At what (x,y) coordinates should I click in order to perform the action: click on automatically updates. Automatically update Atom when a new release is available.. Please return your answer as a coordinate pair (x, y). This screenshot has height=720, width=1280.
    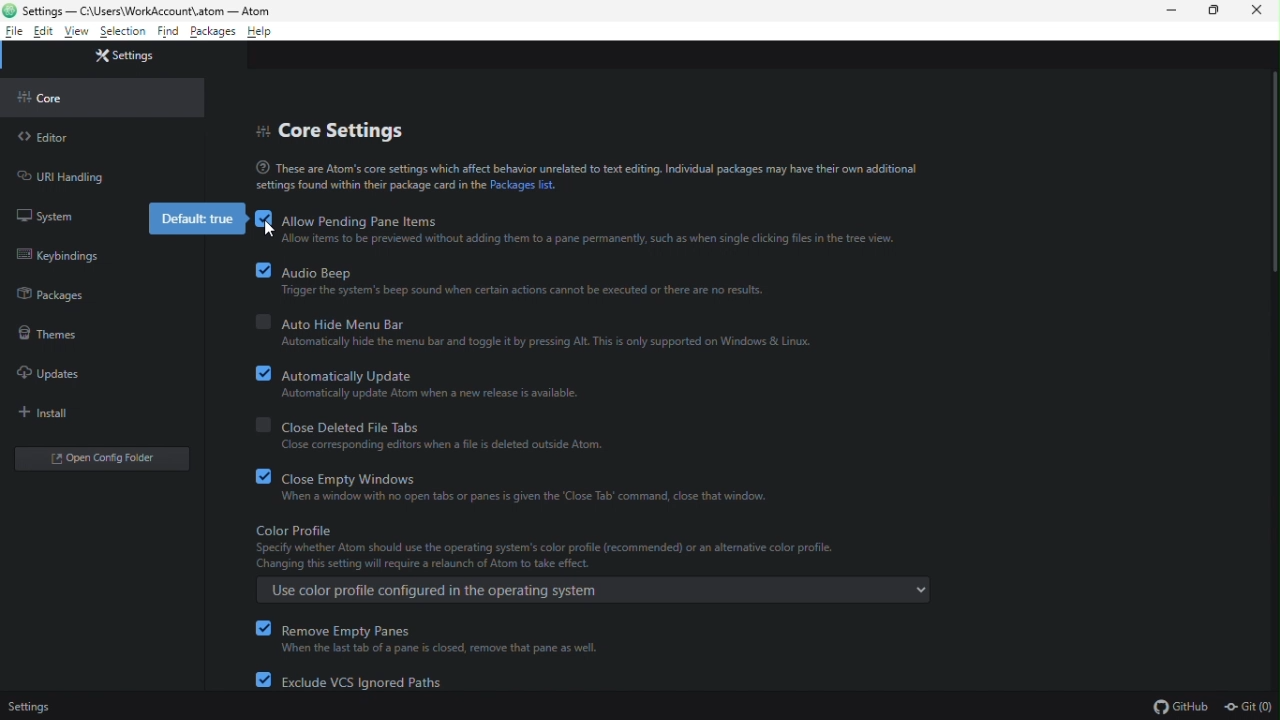
    Looking at the image, I should click on (418, 381).